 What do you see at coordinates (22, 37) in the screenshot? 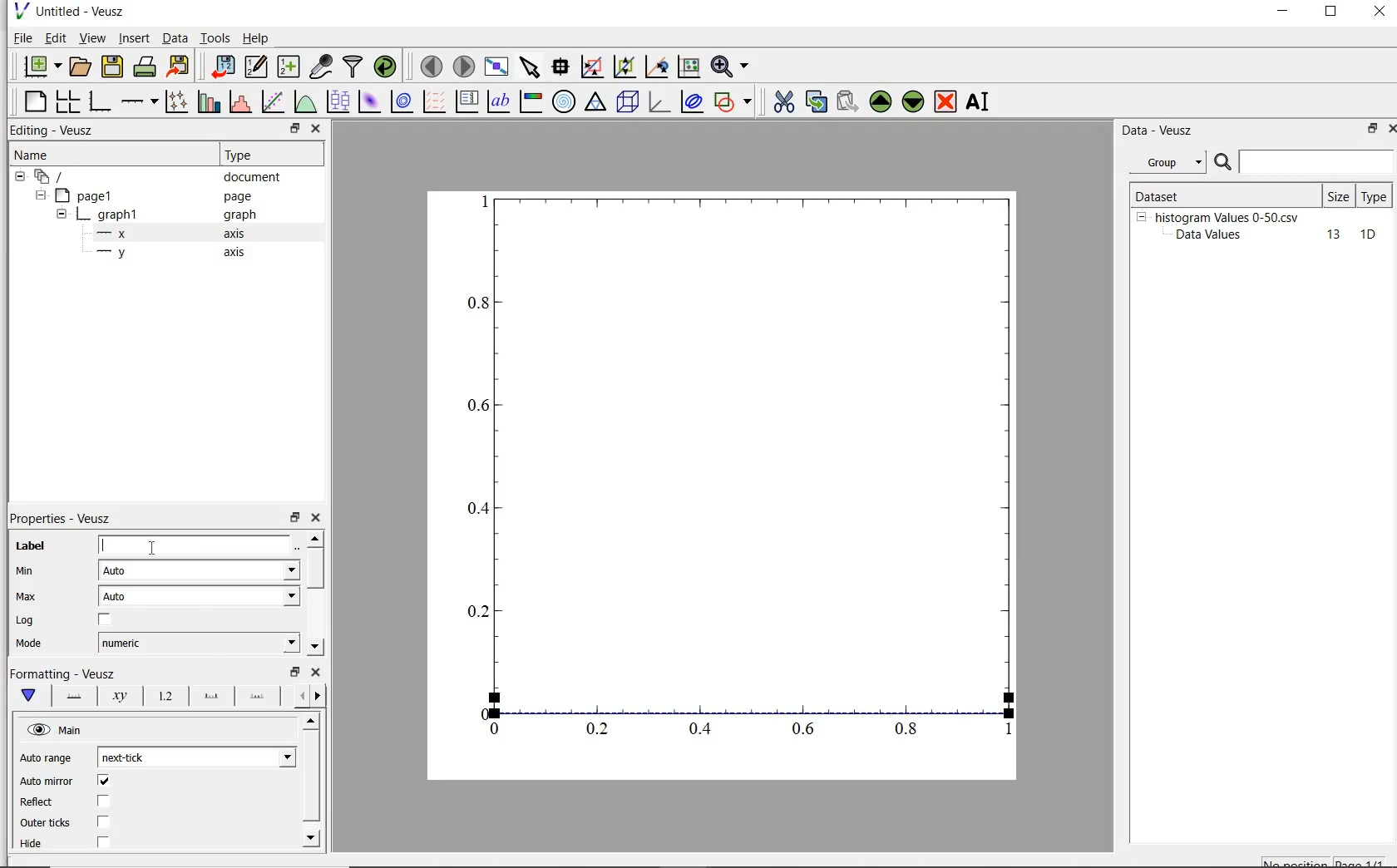
I see `file` at bounding box center [22, 37].